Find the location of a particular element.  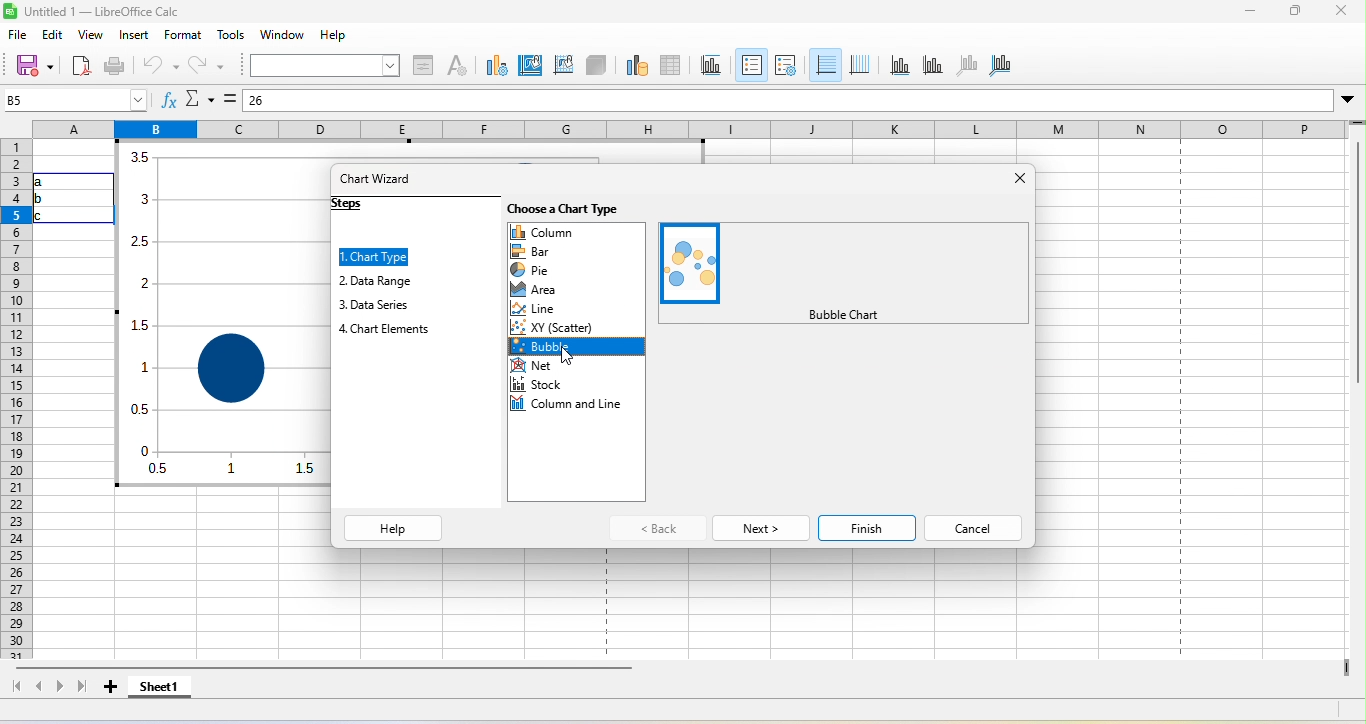

minimize is located at coordinates (1244, 13).